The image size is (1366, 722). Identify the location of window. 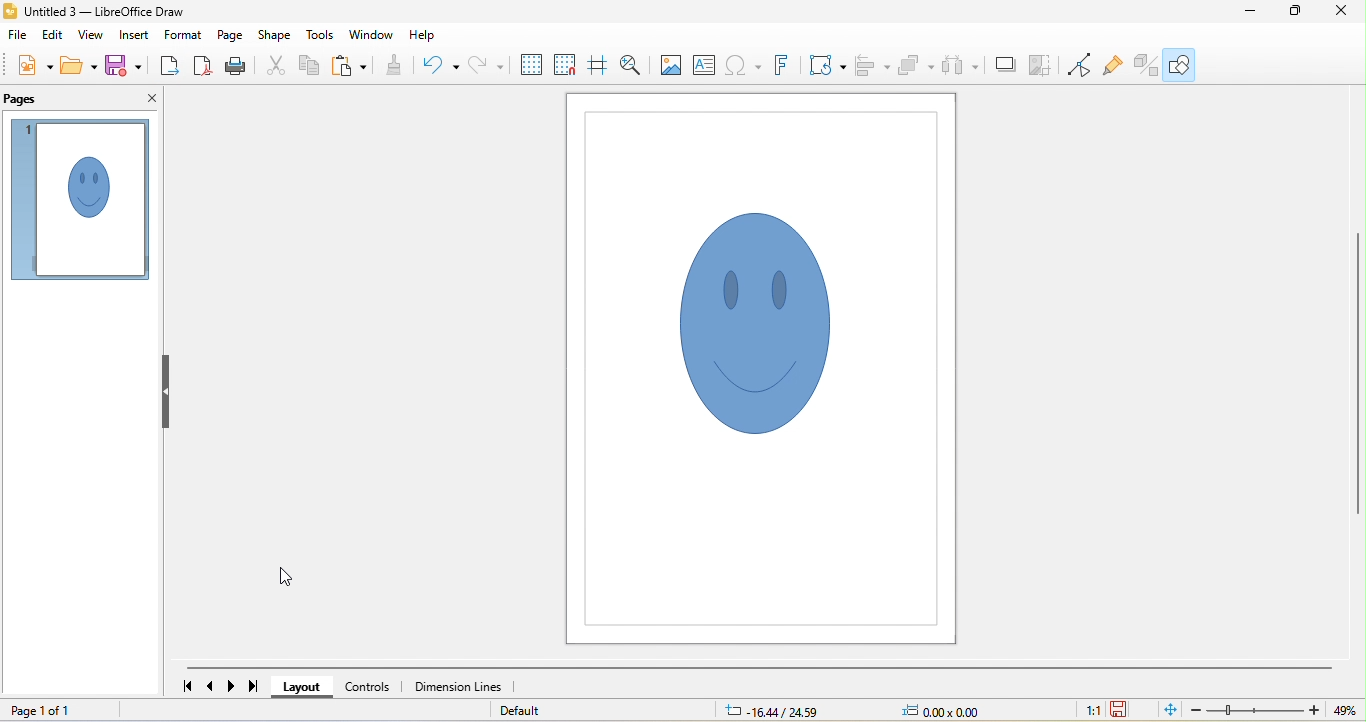
(373, 35).